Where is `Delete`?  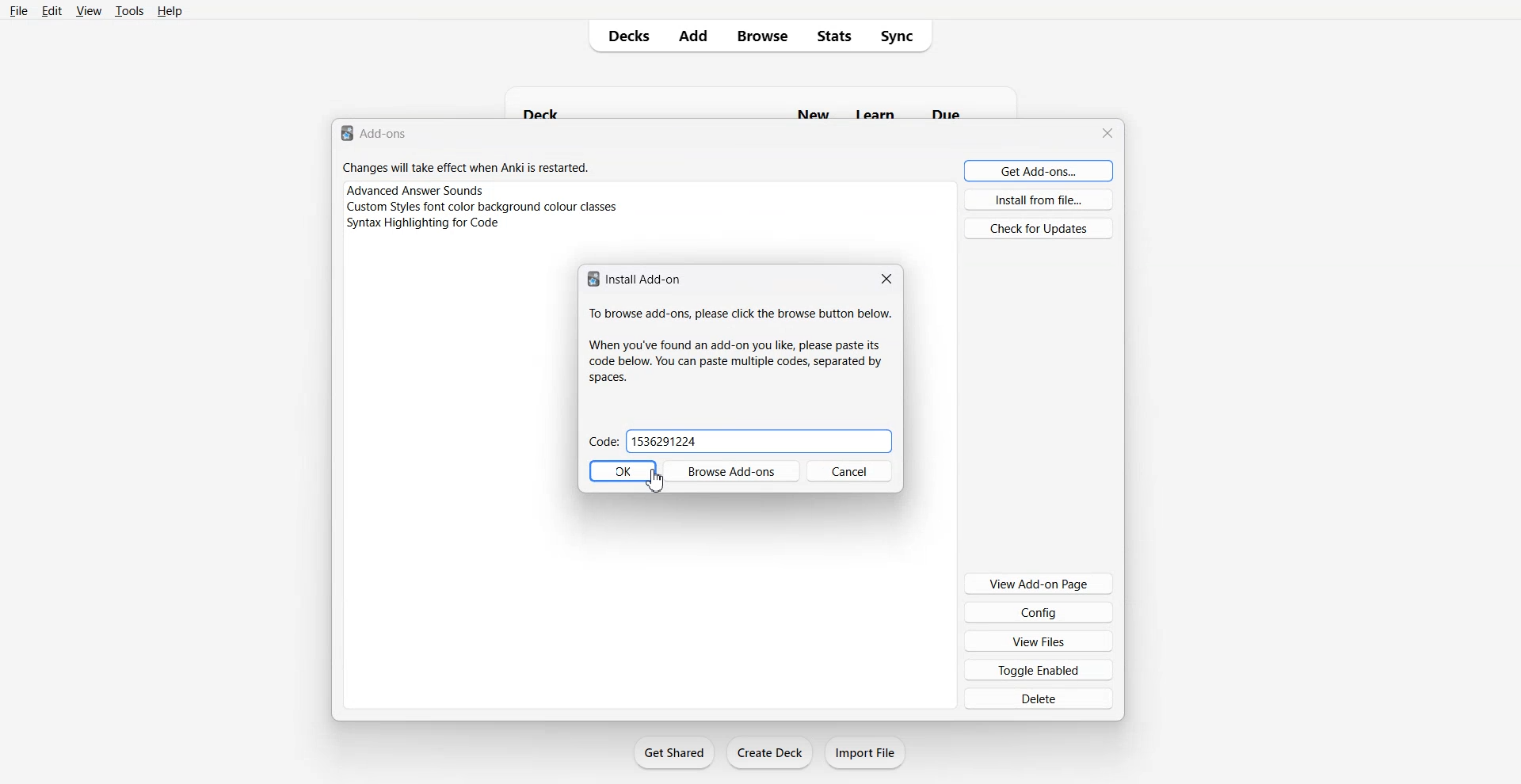 Delete is located at coordinates (1039, 698).